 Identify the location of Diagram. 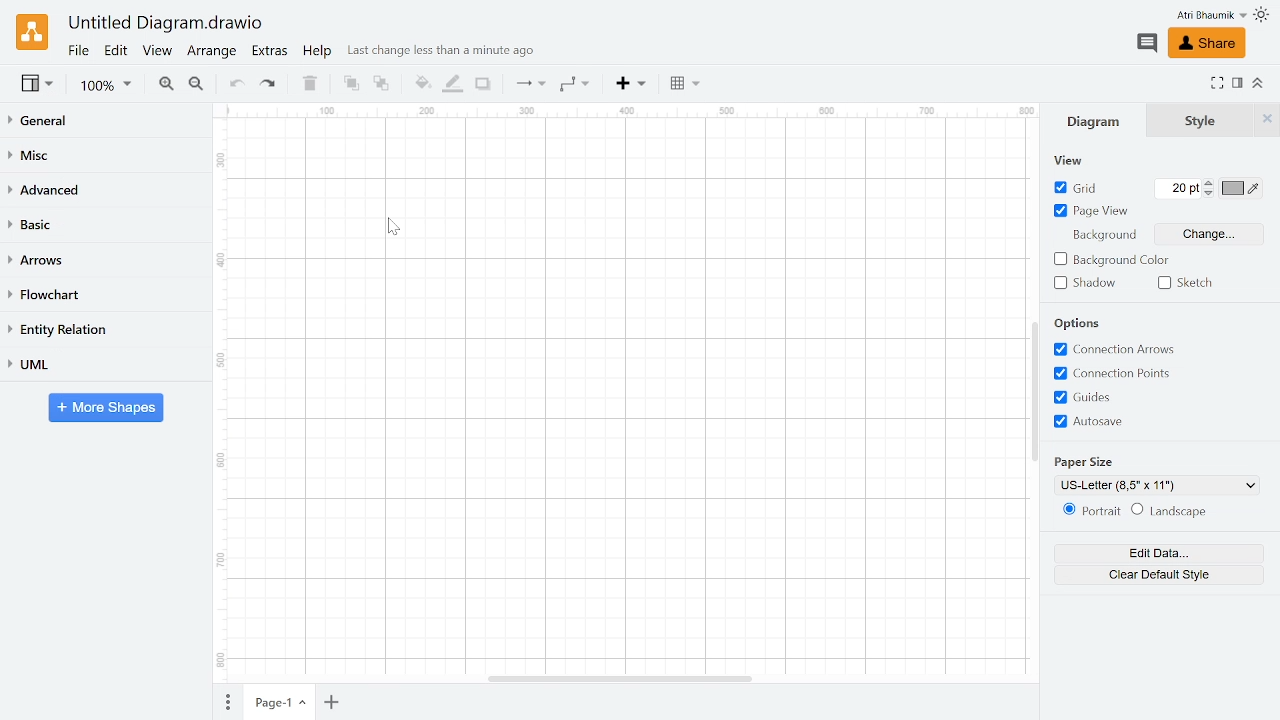
(1101, 121).